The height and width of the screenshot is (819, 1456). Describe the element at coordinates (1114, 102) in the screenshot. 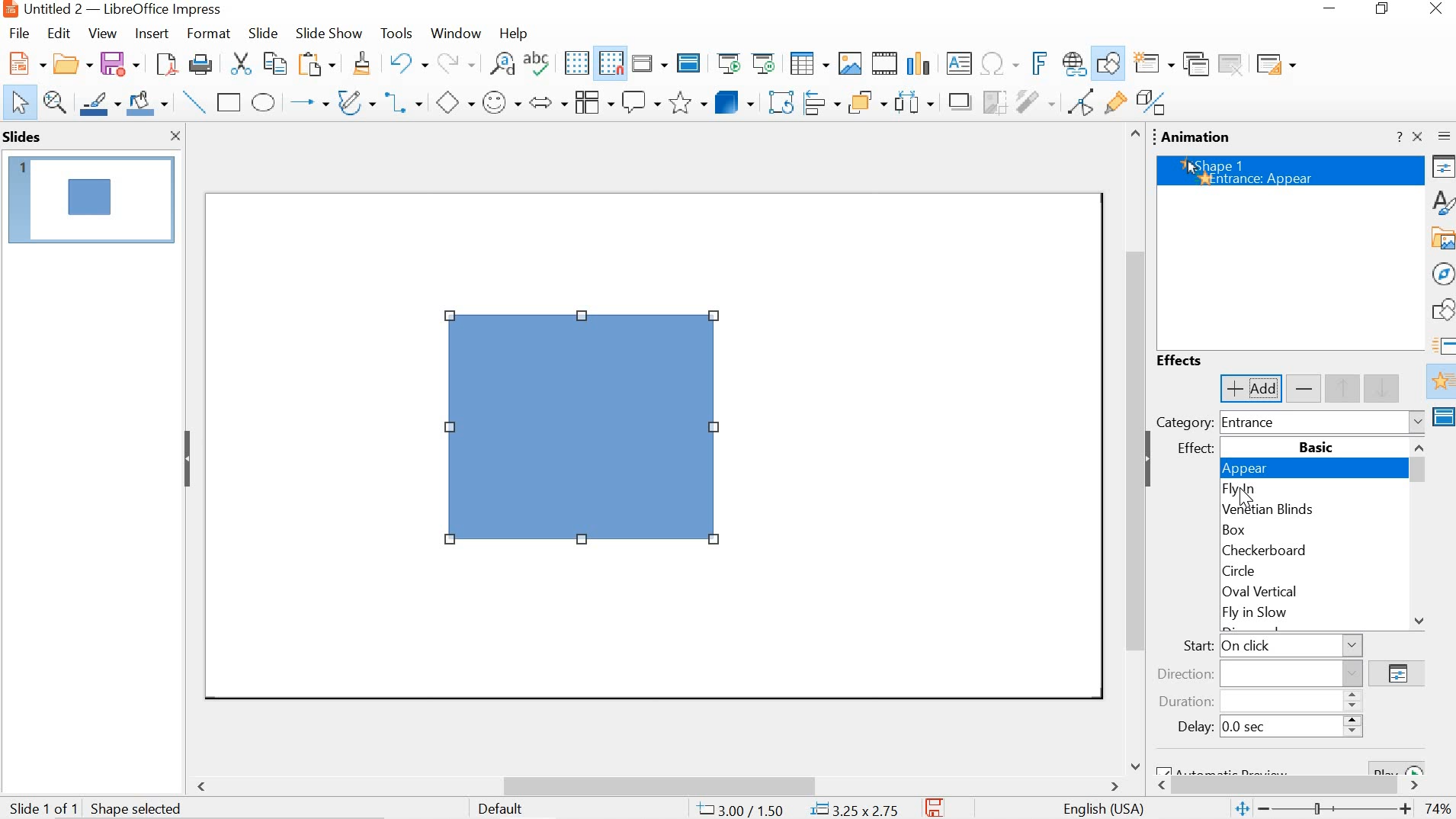

I see `gluepoint function` at that location.